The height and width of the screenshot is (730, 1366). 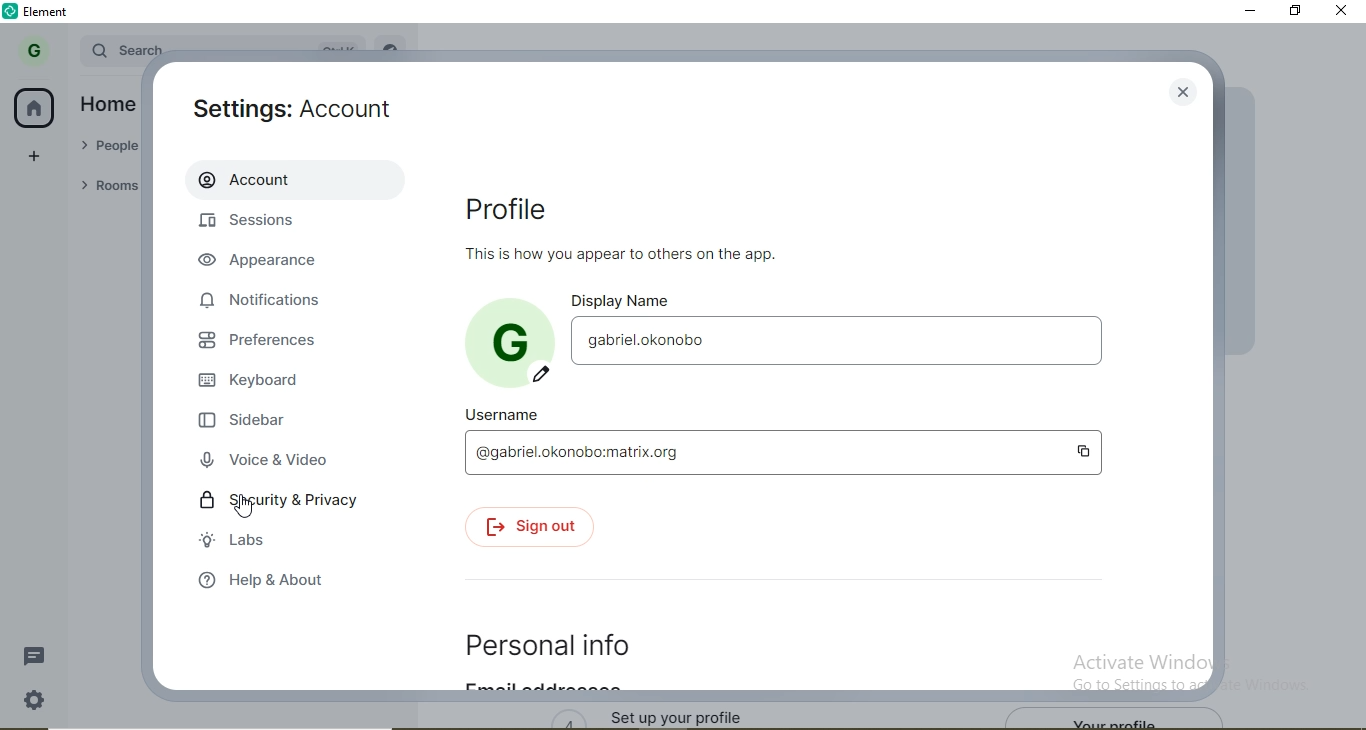 I want to click on Profile, so click(x=510, y=209).